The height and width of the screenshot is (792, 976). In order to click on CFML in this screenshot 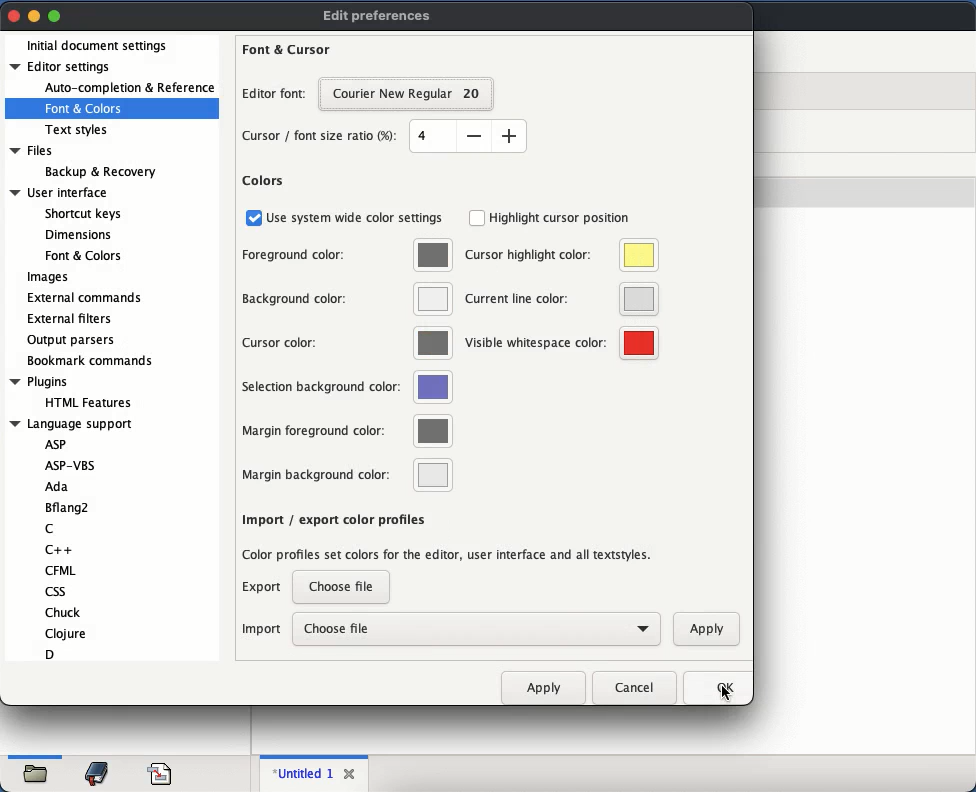, I will do `click(60, 569)`.